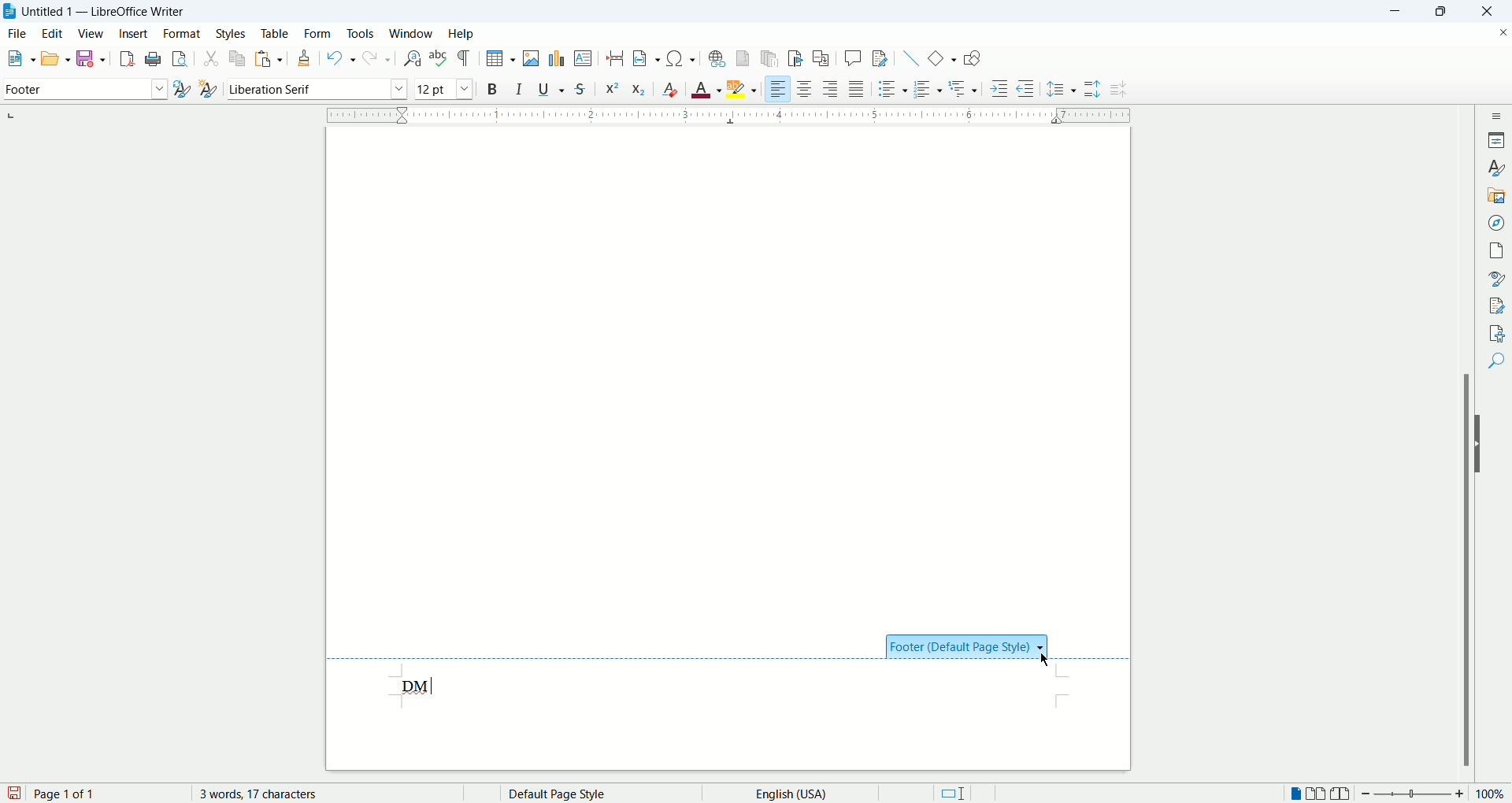 This screenshot has height=803, width=1512. I want to click on text color, so click(708, 89).